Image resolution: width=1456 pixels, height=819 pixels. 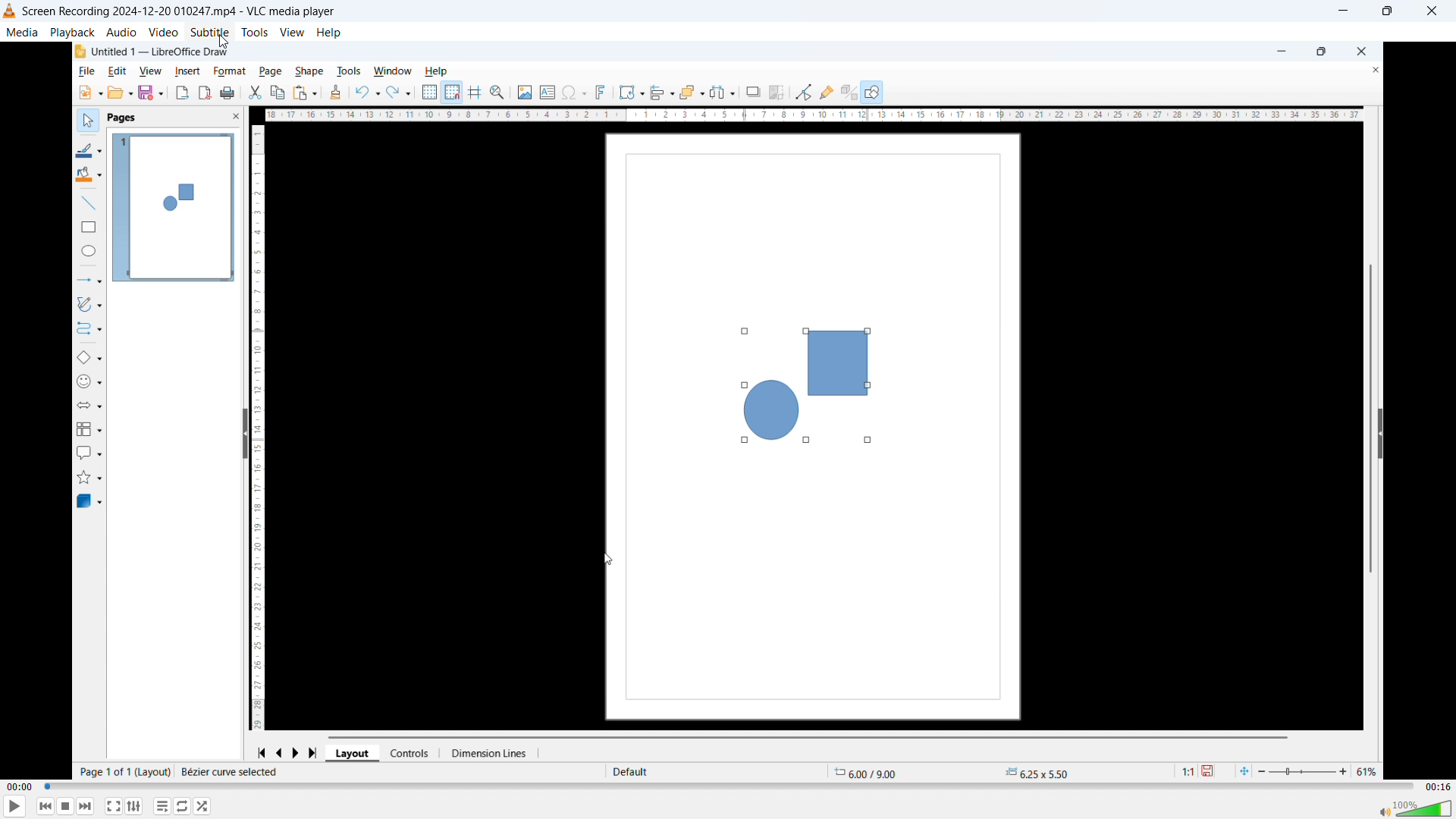 What do you see at coordinates (121, 93) in the screenshot?
I see `open` at bounding box center [121, 93].